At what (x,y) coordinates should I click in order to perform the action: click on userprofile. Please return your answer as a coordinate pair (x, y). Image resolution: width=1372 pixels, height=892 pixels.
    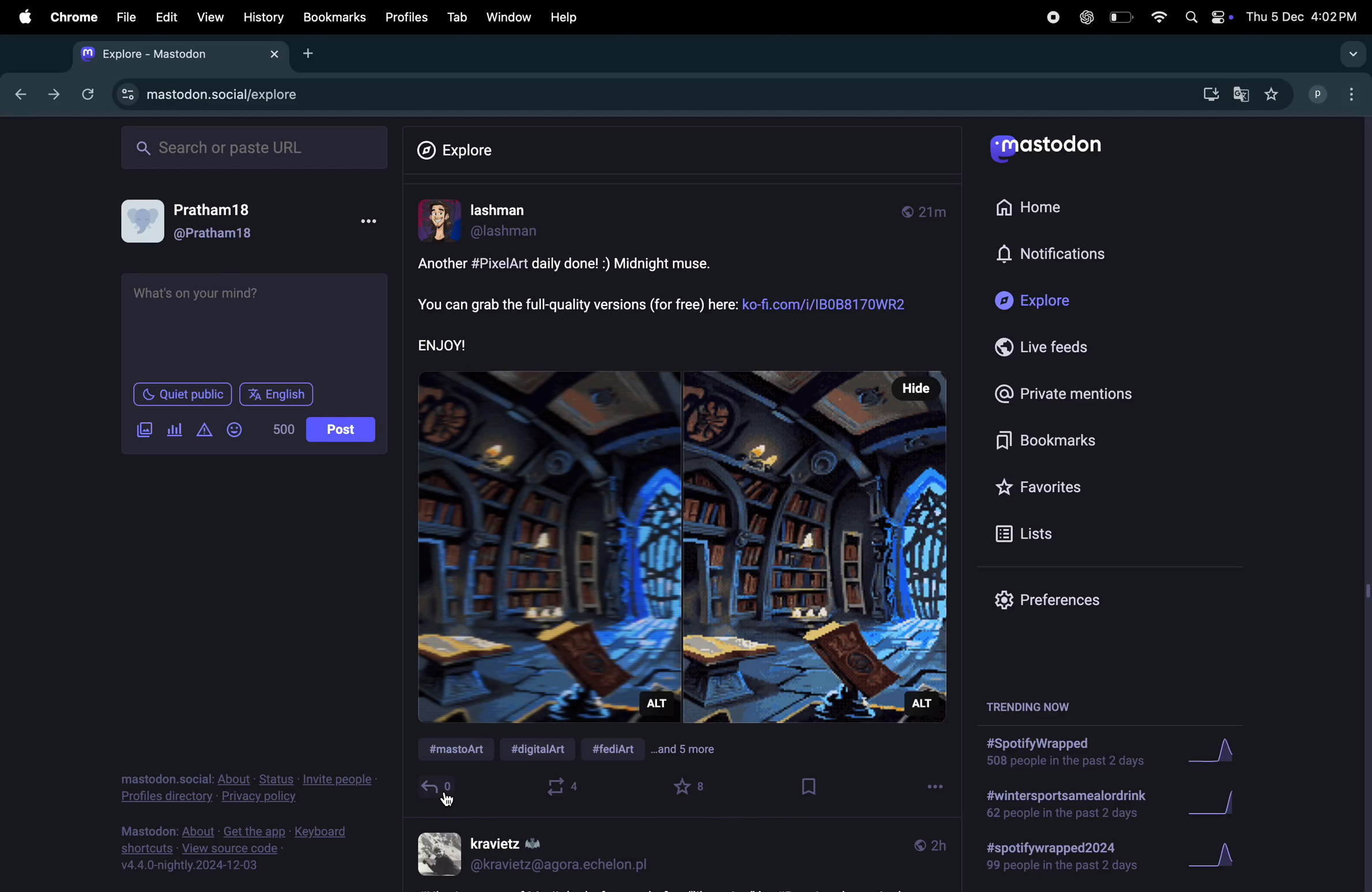
    Looking at the image, I should click on (515, 222).